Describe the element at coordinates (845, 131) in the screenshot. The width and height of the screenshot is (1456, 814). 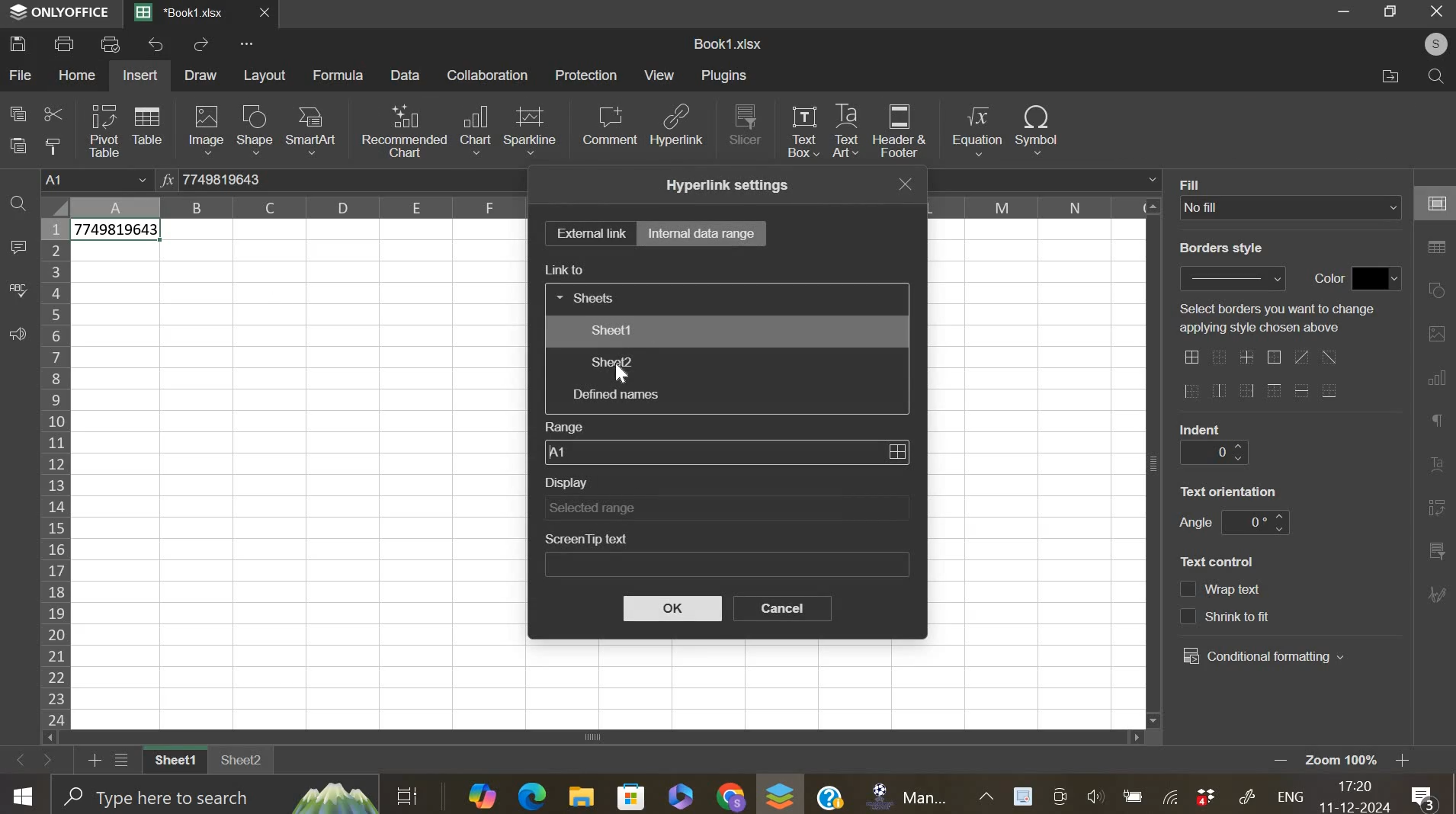
I see `text art` at that location.